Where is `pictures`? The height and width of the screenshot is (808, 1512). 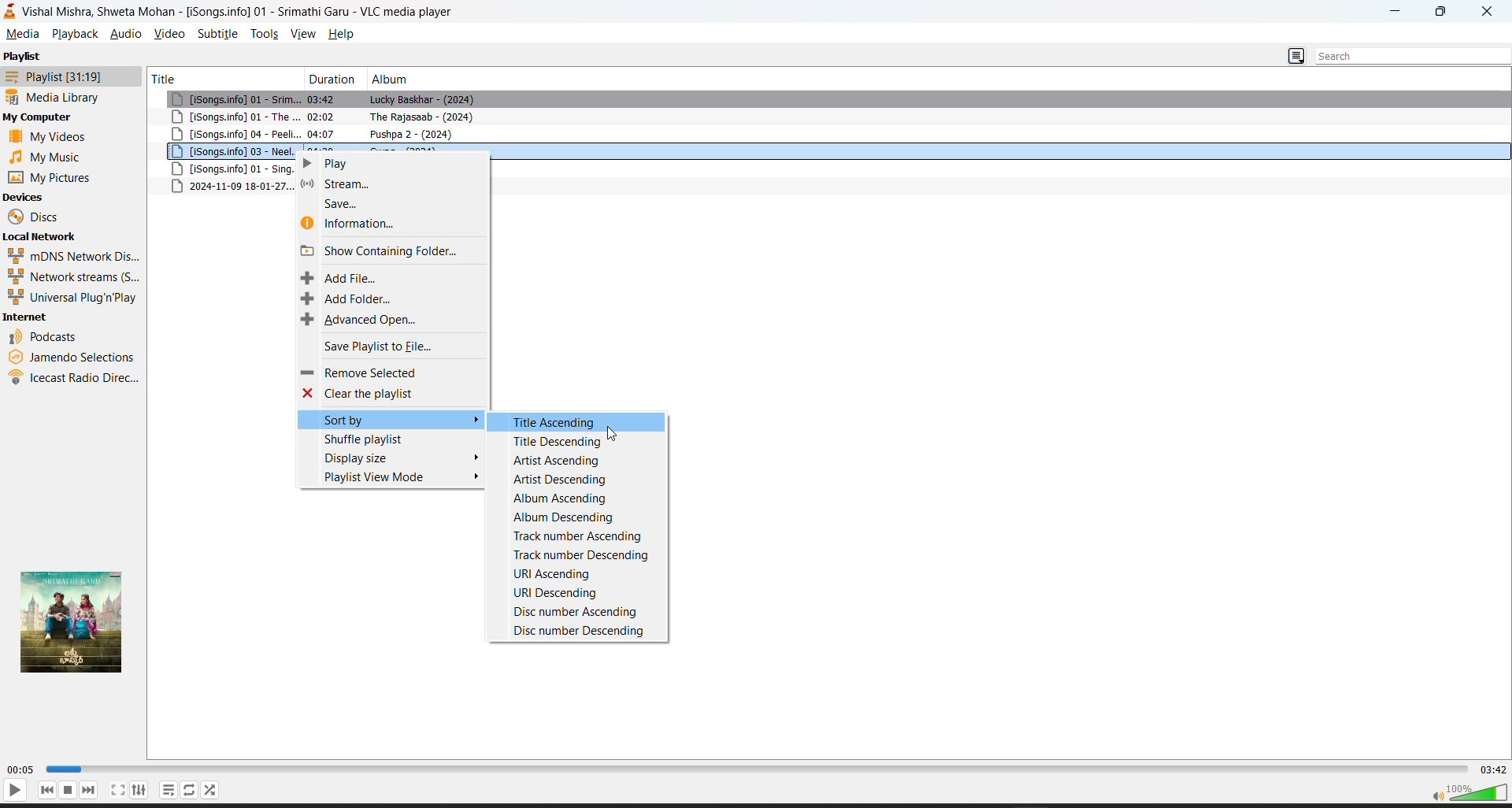
pictures is located at coordinates (55, 176).